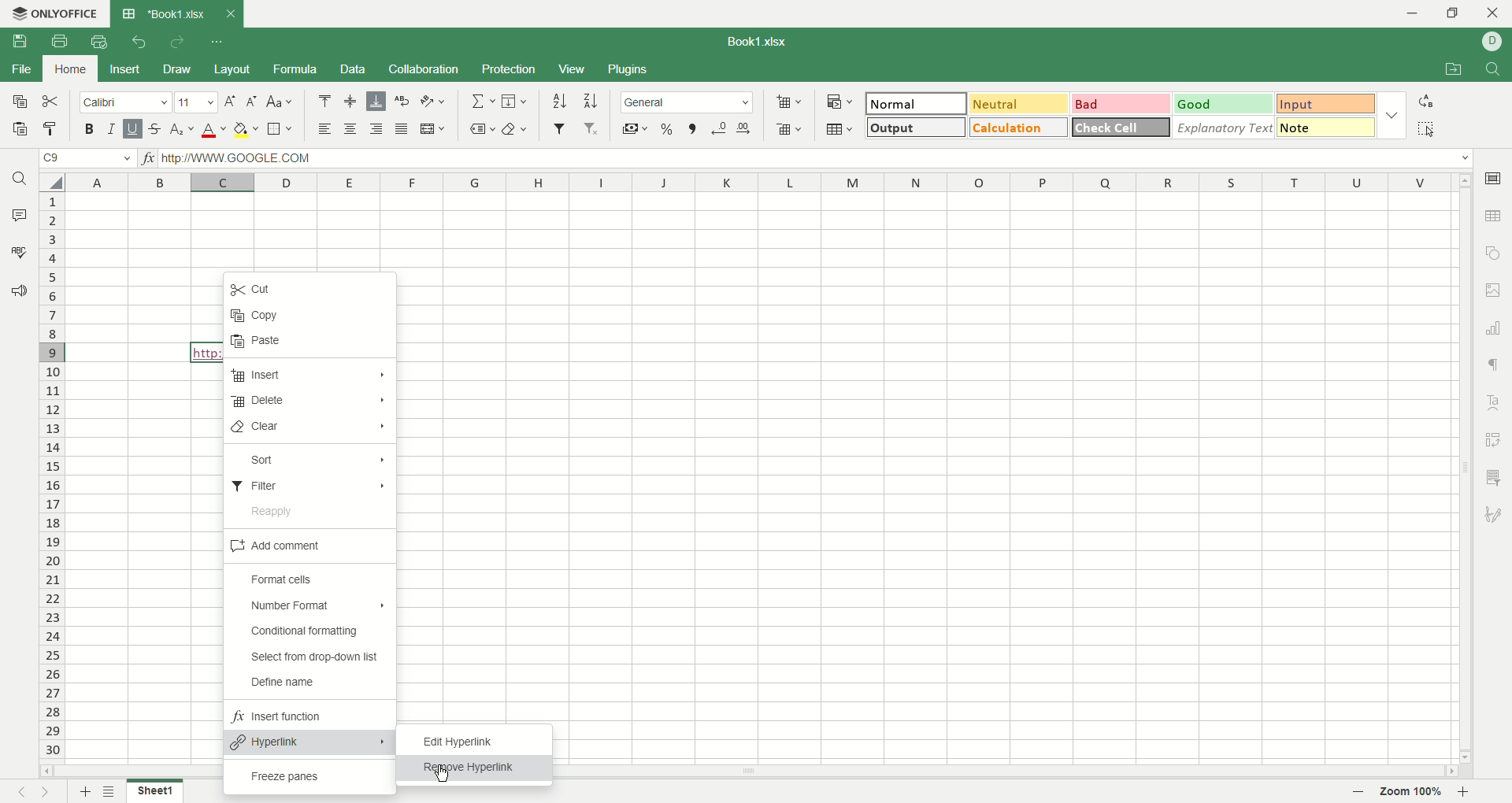 This screenshot has width=1512, height=803. I want to click on background color, so click(246, 129).